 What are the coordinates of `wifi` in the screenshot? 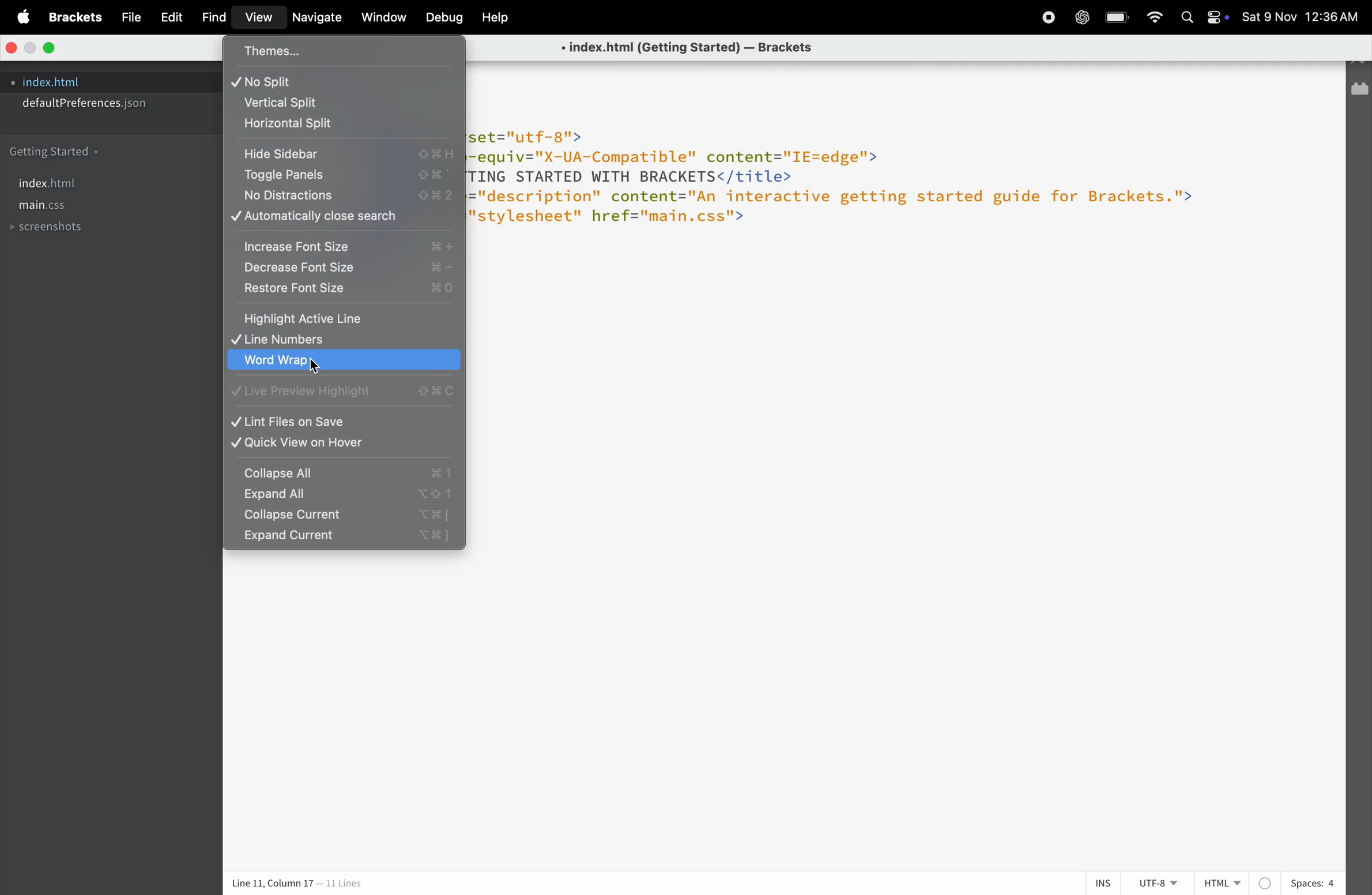 It's located at (1156, 19).